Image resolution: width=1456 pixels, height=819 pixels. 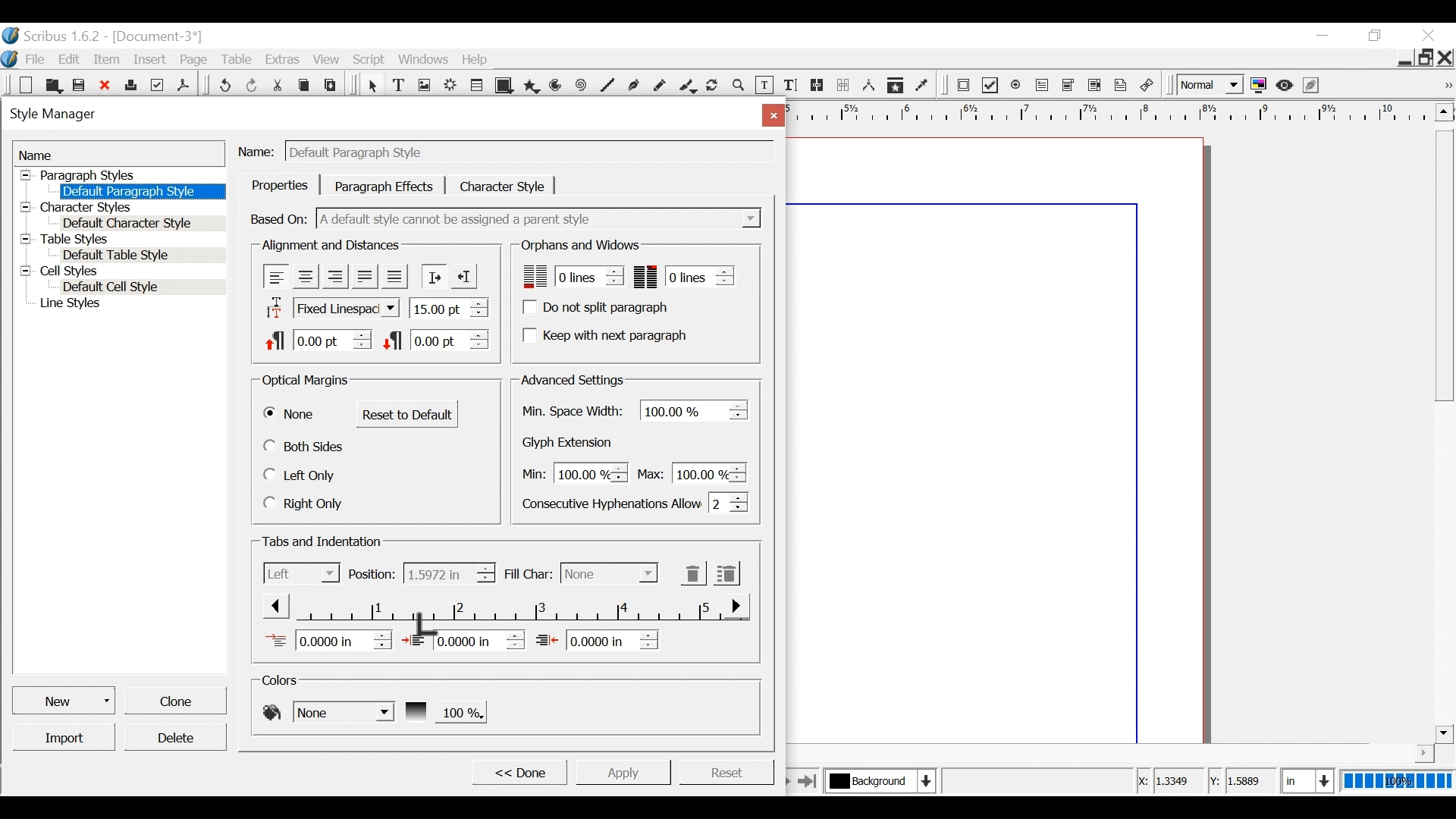 I want to click on Close, so click(x=106, y=85).